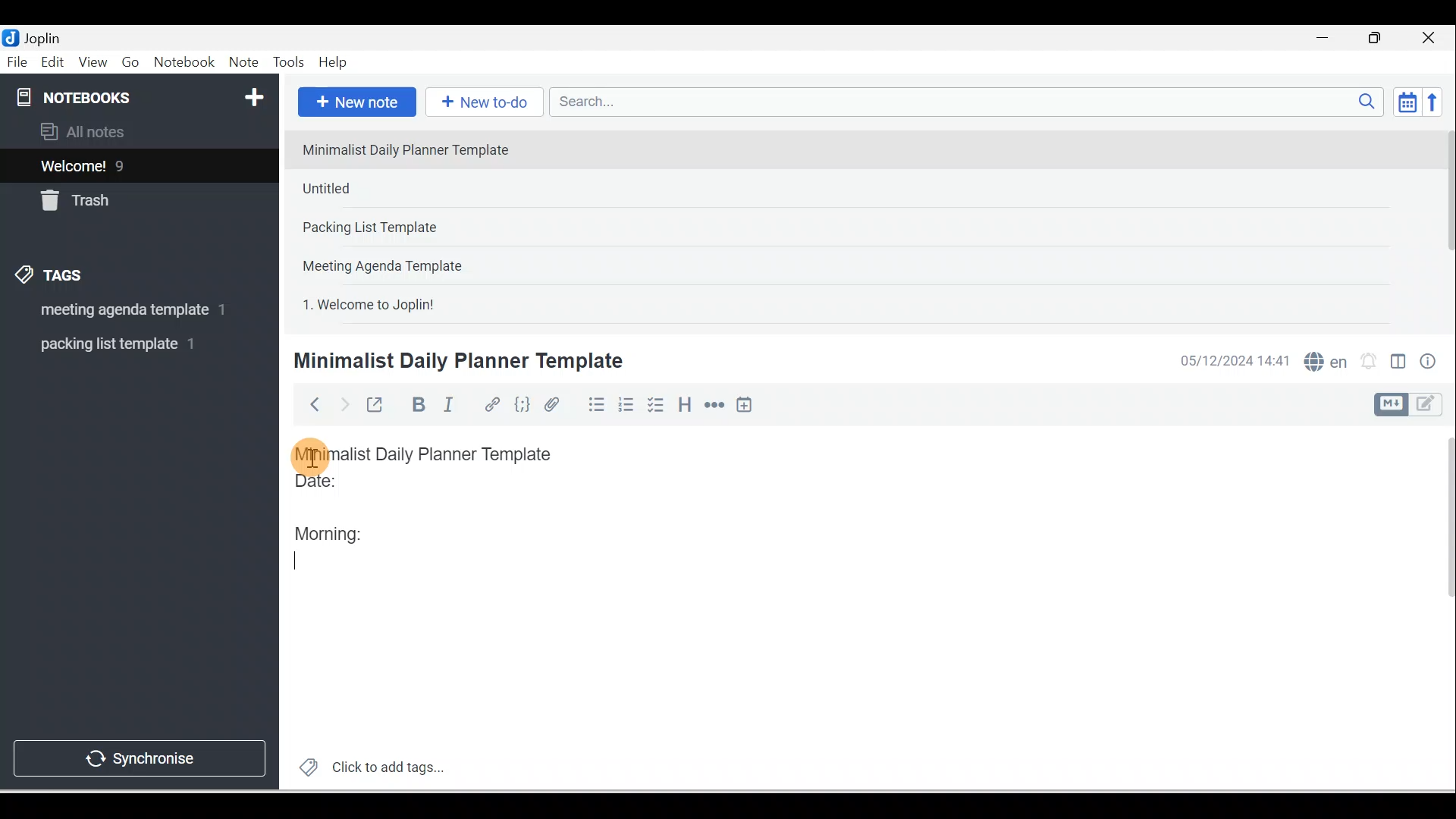 Image resolution: width=1456 pixels, height=819 pixels. I want to click on Note 5, so click(424, 303).